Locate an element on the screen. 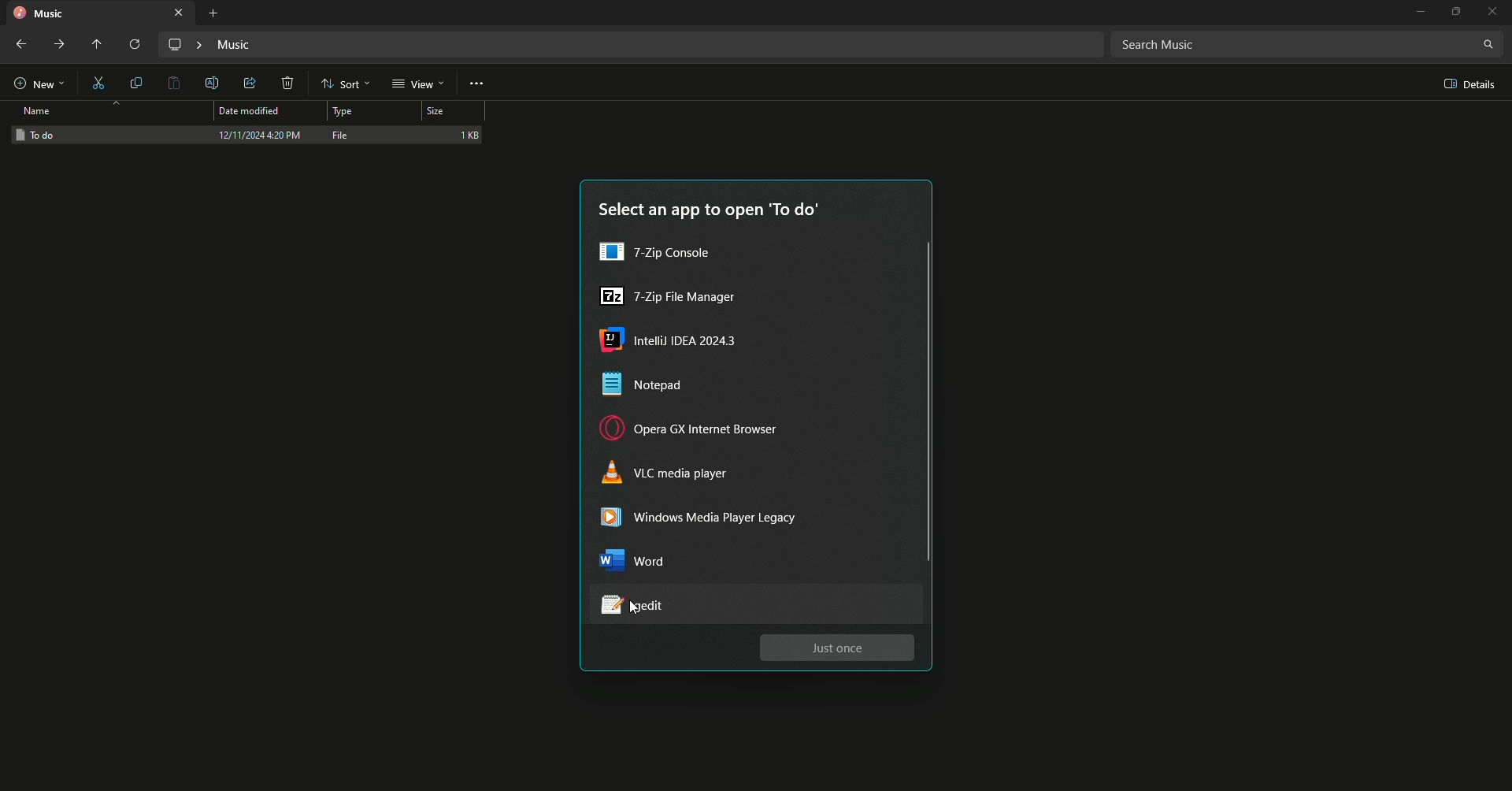 The width and height of the screenshot is (1512, 791). Notepad is located at coordinates (655, 388).